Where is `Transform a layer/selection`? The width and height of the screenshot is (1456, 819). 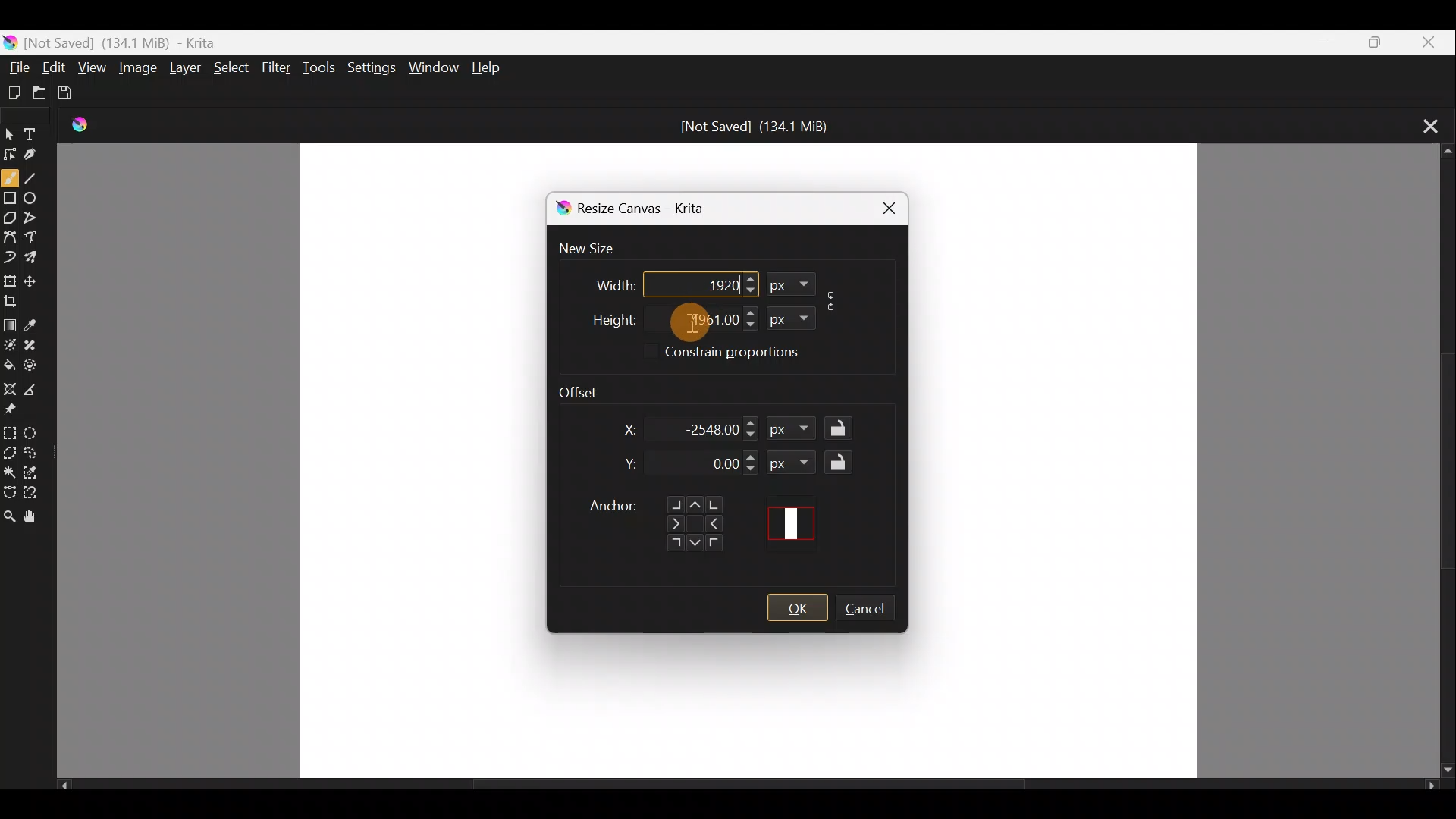 Transform a layer/selection is located at coordinates (10, 281).